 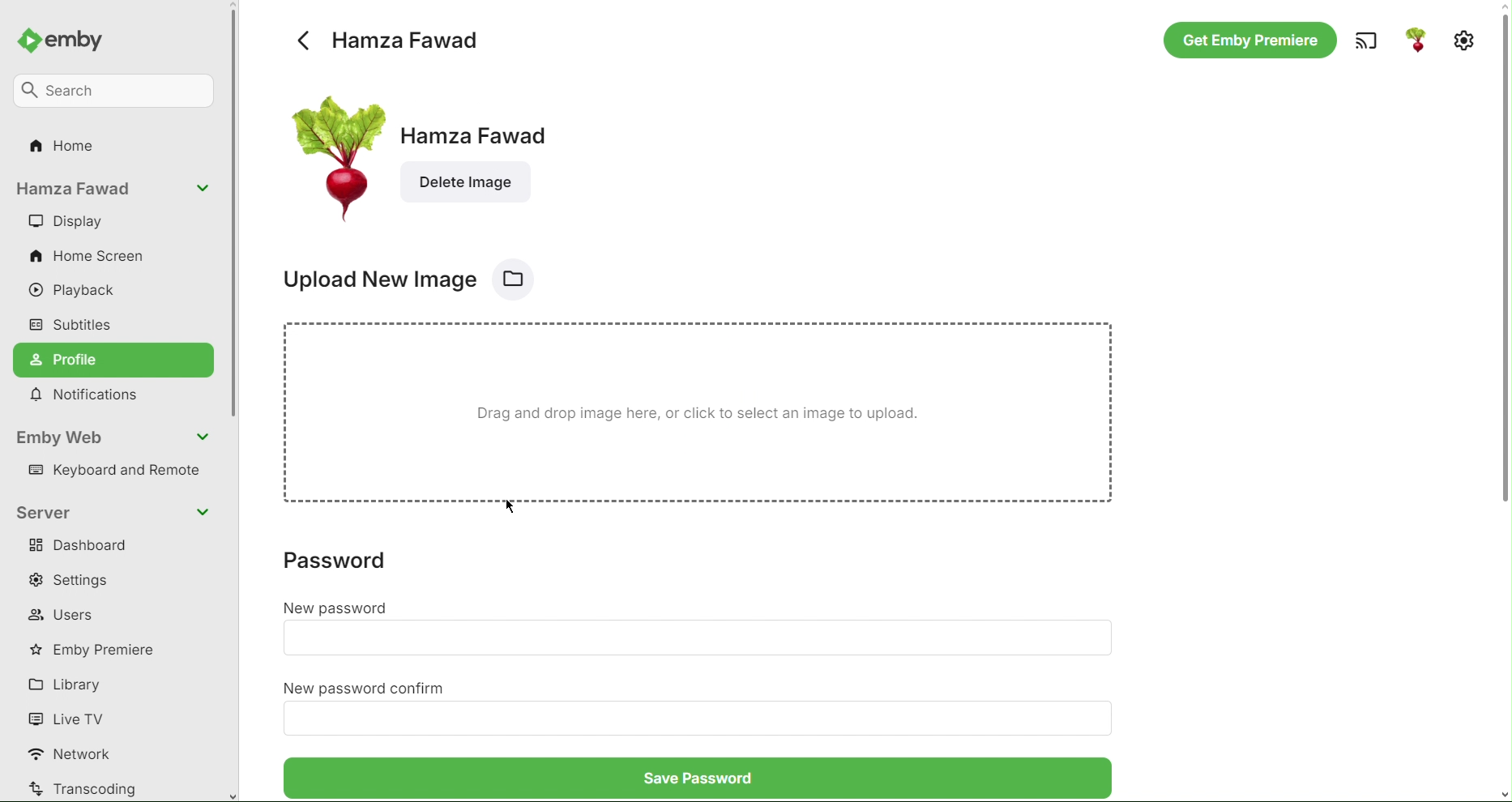 What do you see at coordinates (113, 190) in the screenshot?
I see `Account` at bounding box center [113, 190].